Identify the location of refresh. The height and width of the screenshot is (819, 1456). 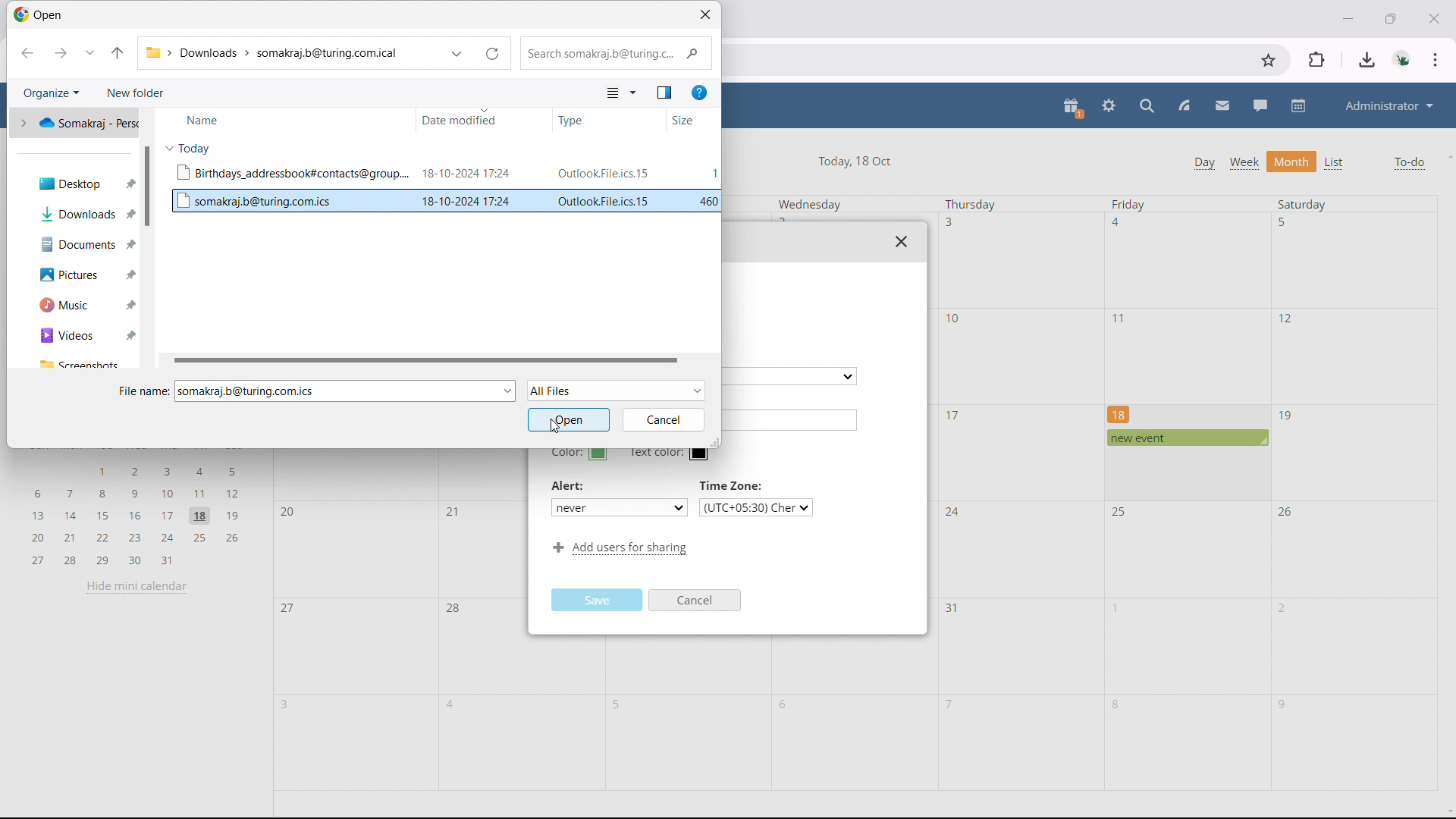
(492, 54).